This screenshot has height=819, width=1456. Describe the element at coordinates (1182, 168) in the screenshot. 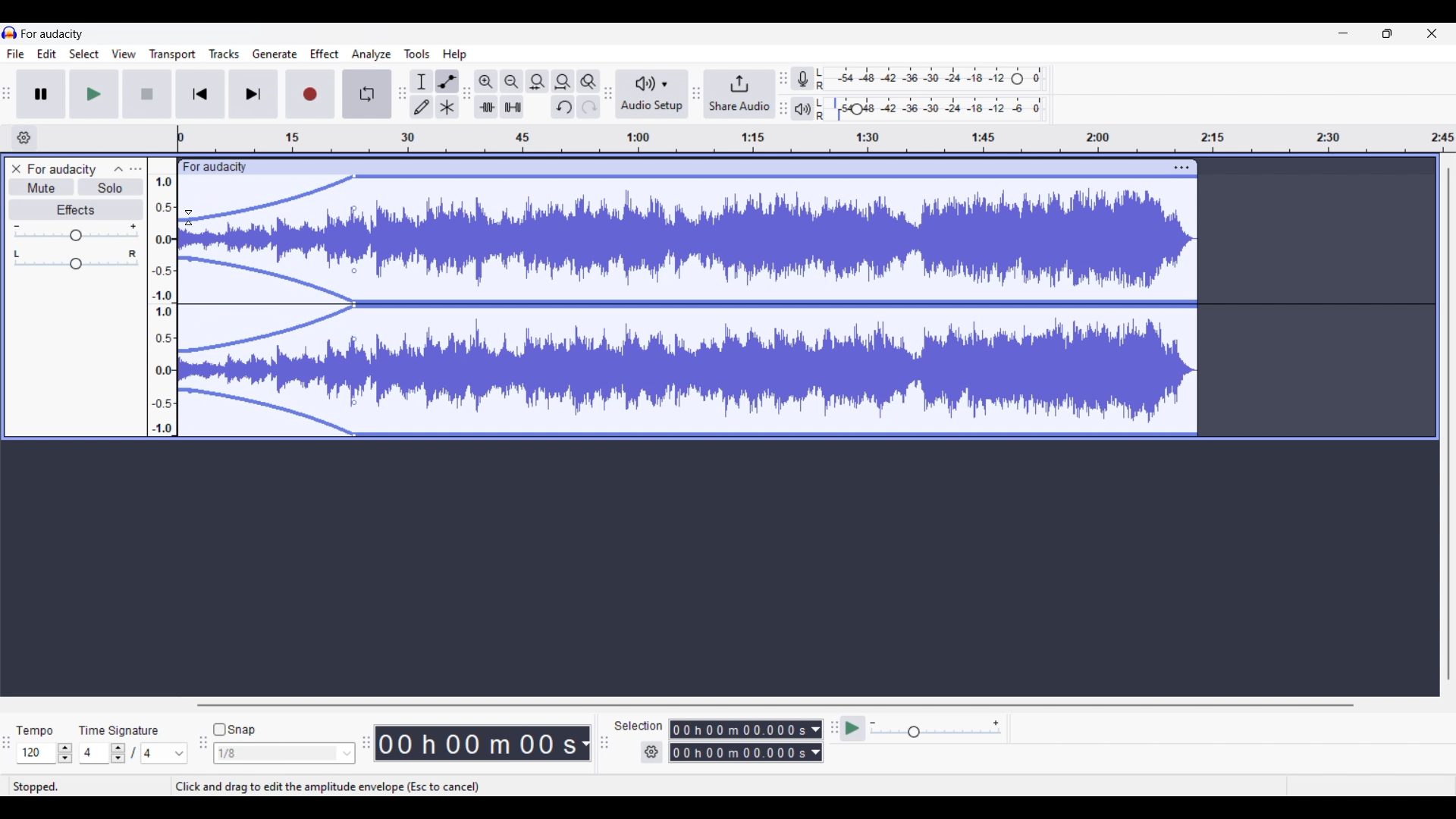

I see `Track settings` at that location.